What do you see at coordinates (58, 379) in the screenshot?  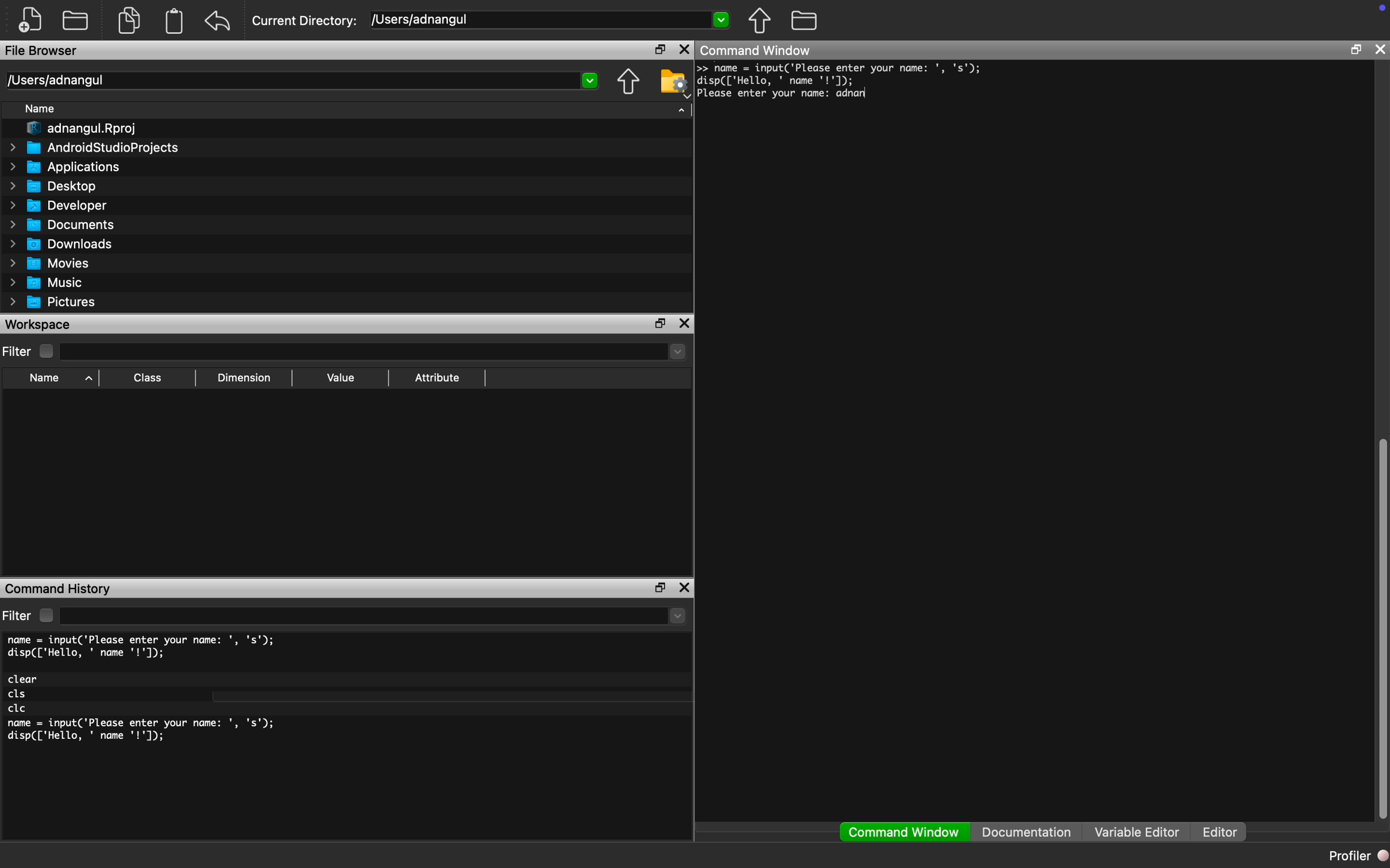 I see `Name ` at bounding box center [58, 379].